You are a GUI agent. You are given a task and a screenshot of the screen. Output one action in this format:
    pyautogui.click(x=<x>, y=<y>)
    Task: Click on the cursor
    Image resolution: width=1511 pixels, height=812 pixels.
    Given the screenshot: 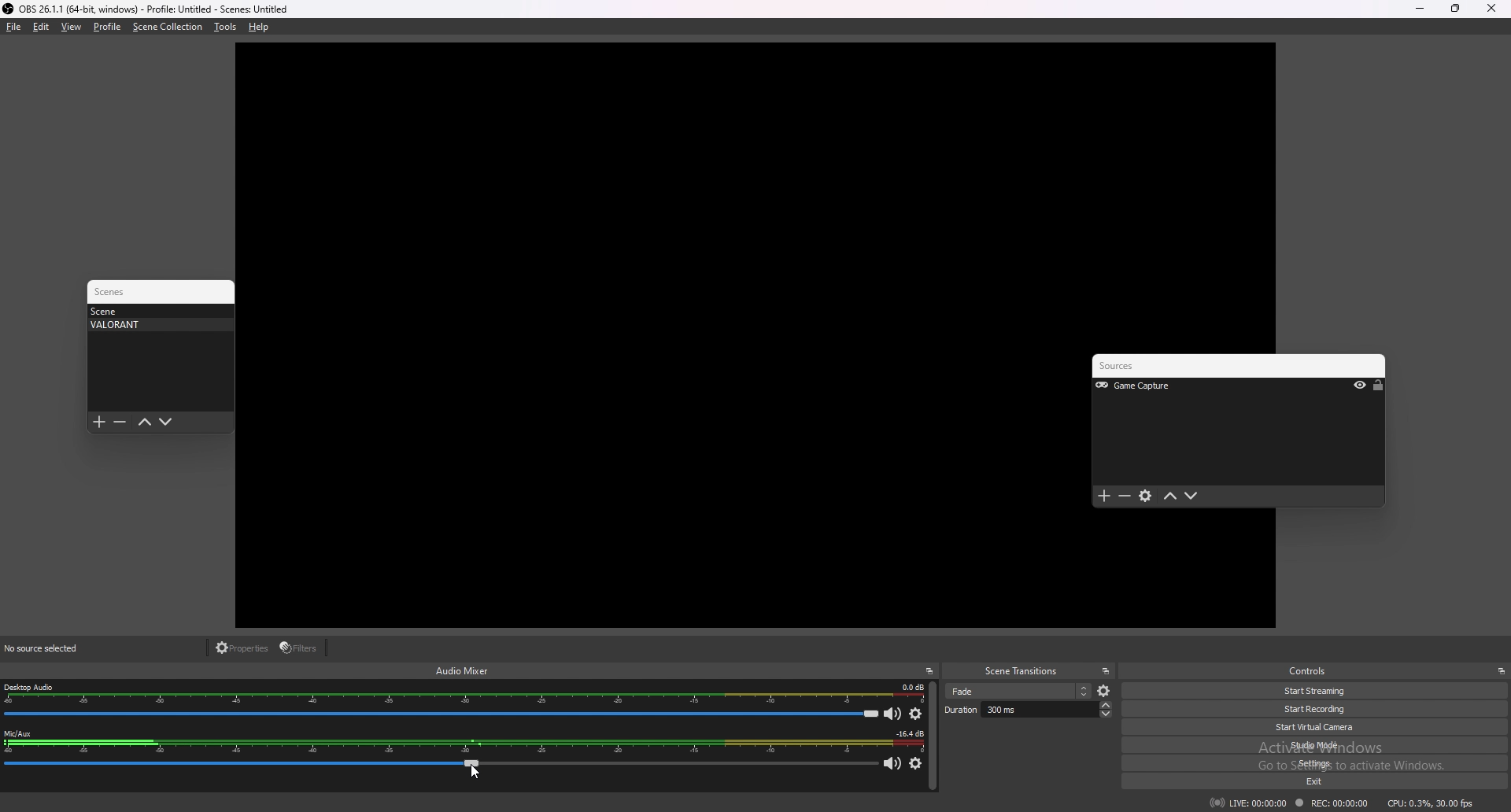 What is the action you would take?
    pyautogui.click(x=473, y=772)
    